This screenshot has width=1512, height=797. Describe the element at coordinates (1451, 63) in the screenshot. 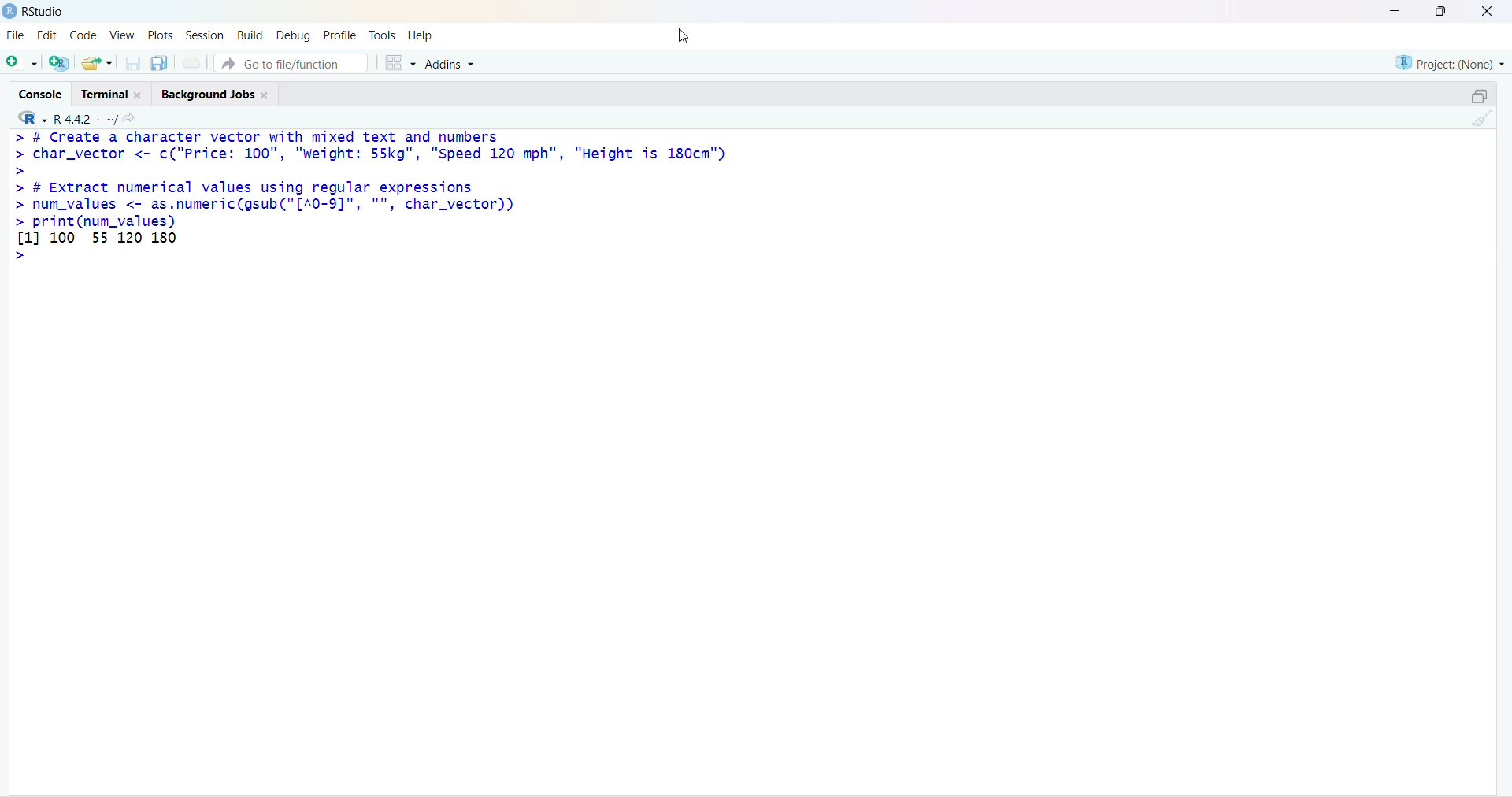

I see `project (none)` at that location.